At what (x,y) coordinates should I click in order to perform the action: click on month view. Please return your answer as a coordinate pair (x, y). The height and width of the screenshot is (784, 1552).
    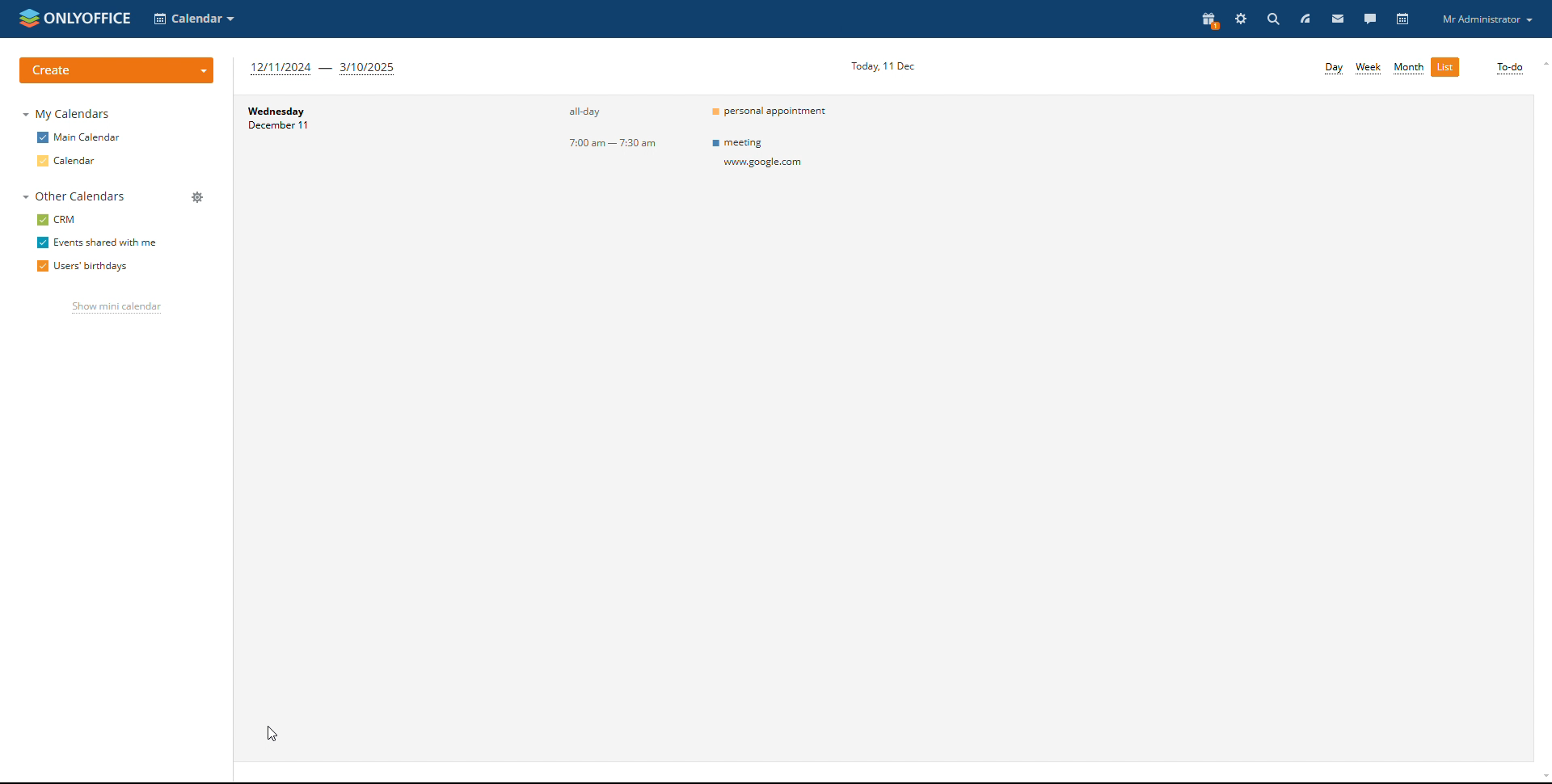
    Looking at the image, I should click on (1409, 69).